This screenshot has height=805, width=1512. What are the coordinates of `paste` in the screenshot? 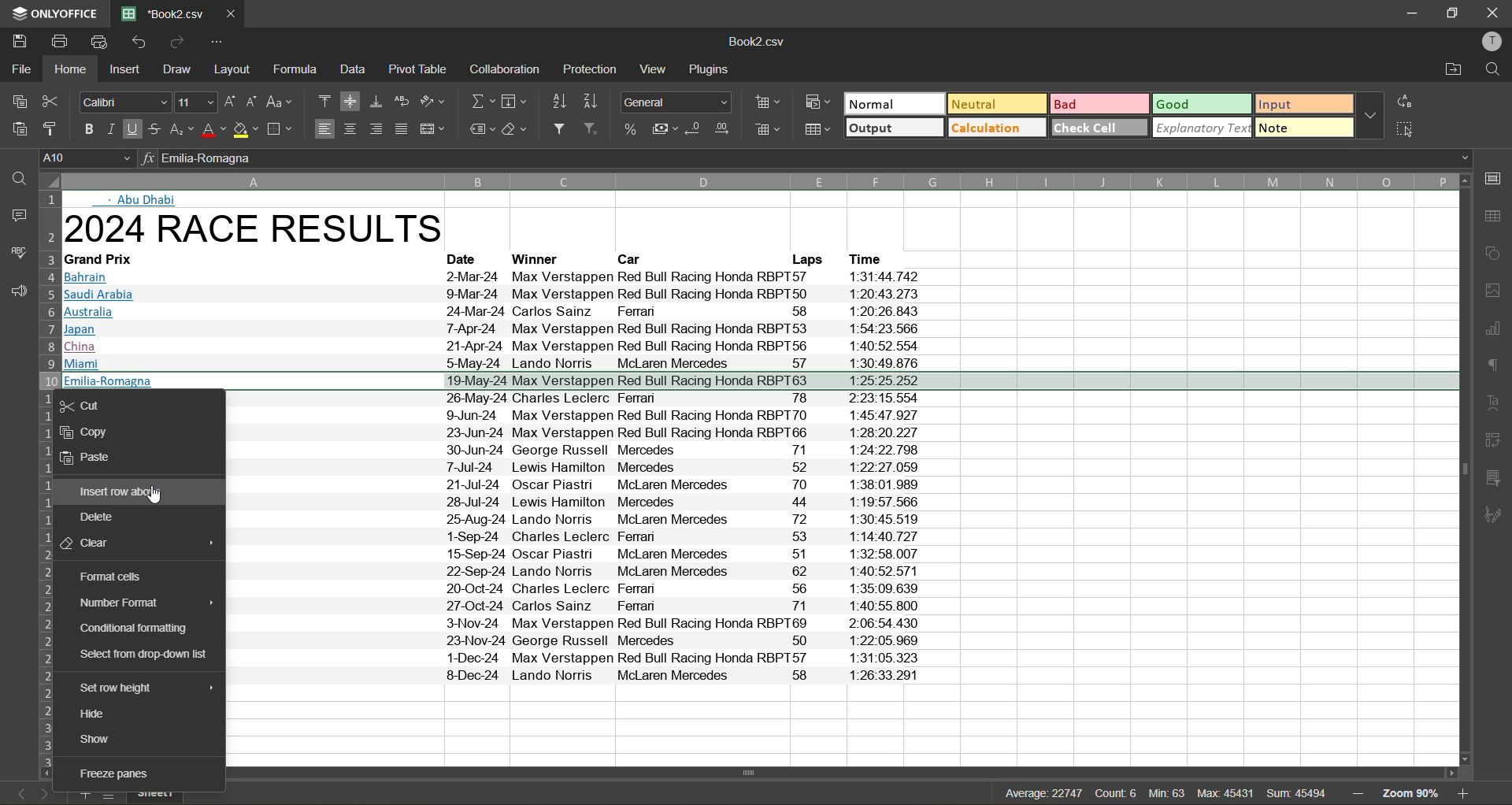 It's located at (91, 457).